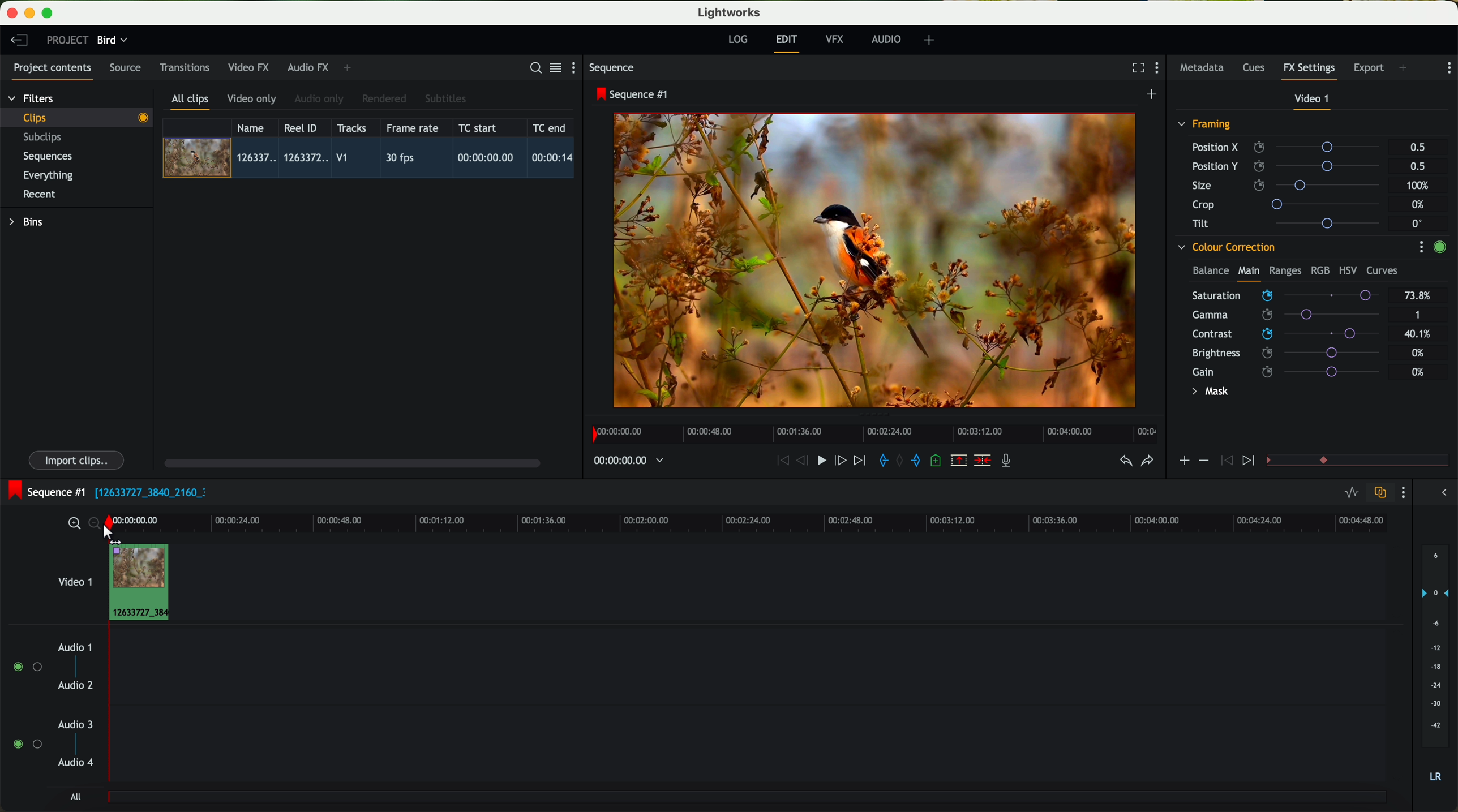 The height and width of the screenshot is (812, 1458). Describe the element at coordinates (75, 797) in the screenshot. I see `all` at that location.